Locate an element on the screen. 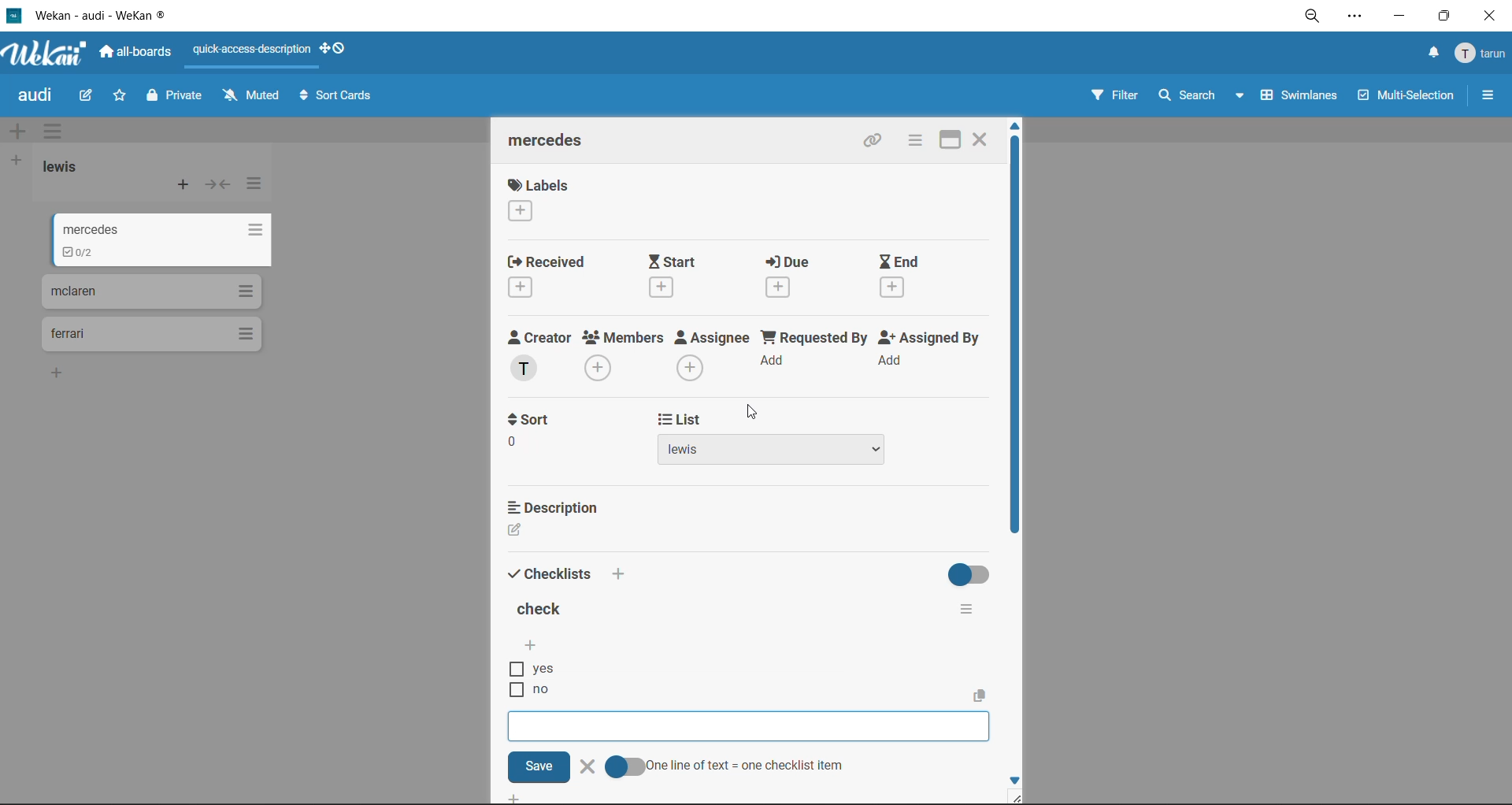 This screenshot has width=1512, height=805. search is located at coordinates (1196, 96).